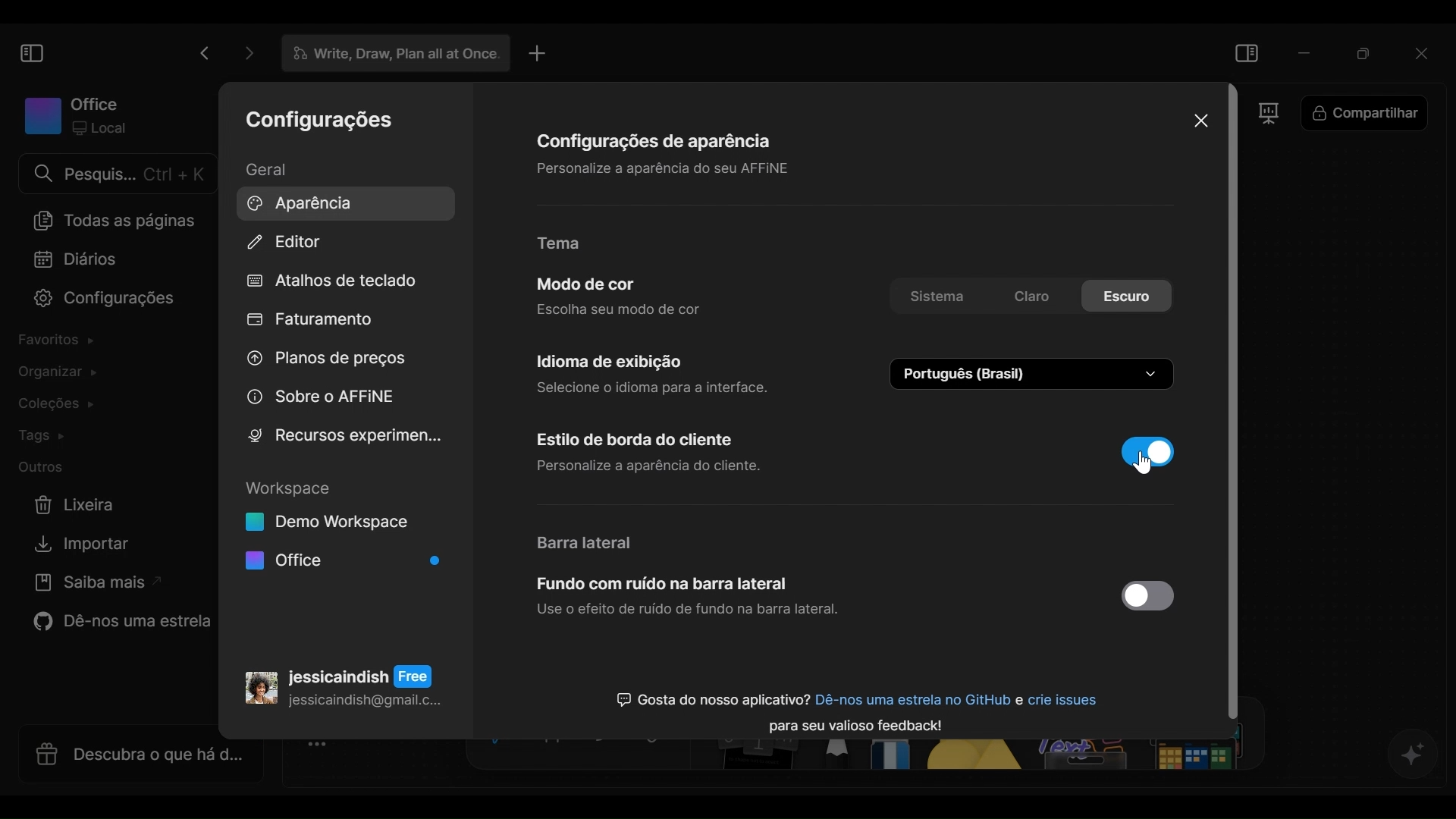 This screenshot has width=1456, height=819. Describe the element at coordinates (981, 761) in the screenshot. I see `Shape` at that location.